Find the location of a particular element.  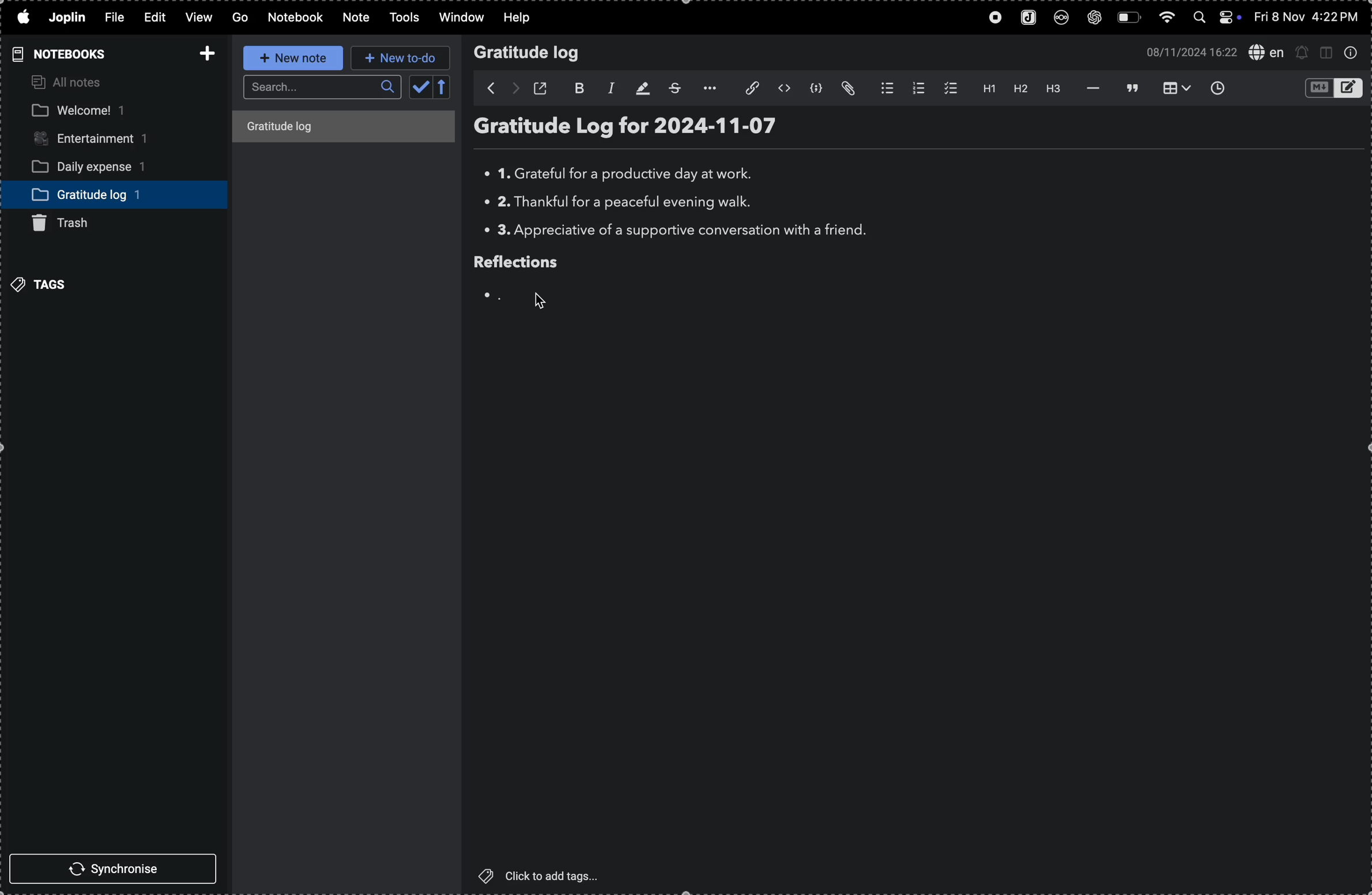

wifi is located at coordinates (1164, 18).